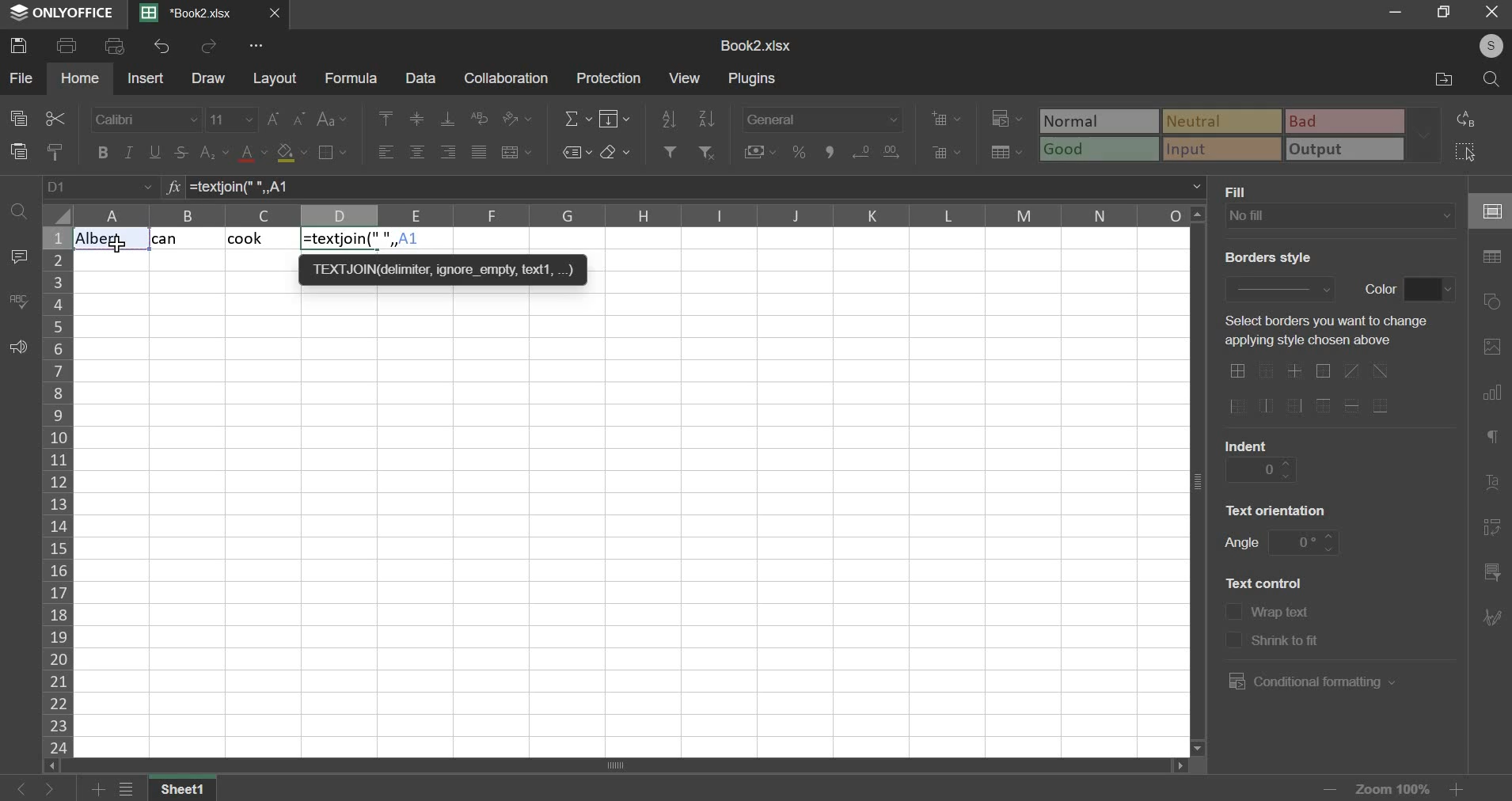 The image size is (1512, 801). Describe the element at coordinates (761, 151) in the screenshot. I see `accounting style` at that location.